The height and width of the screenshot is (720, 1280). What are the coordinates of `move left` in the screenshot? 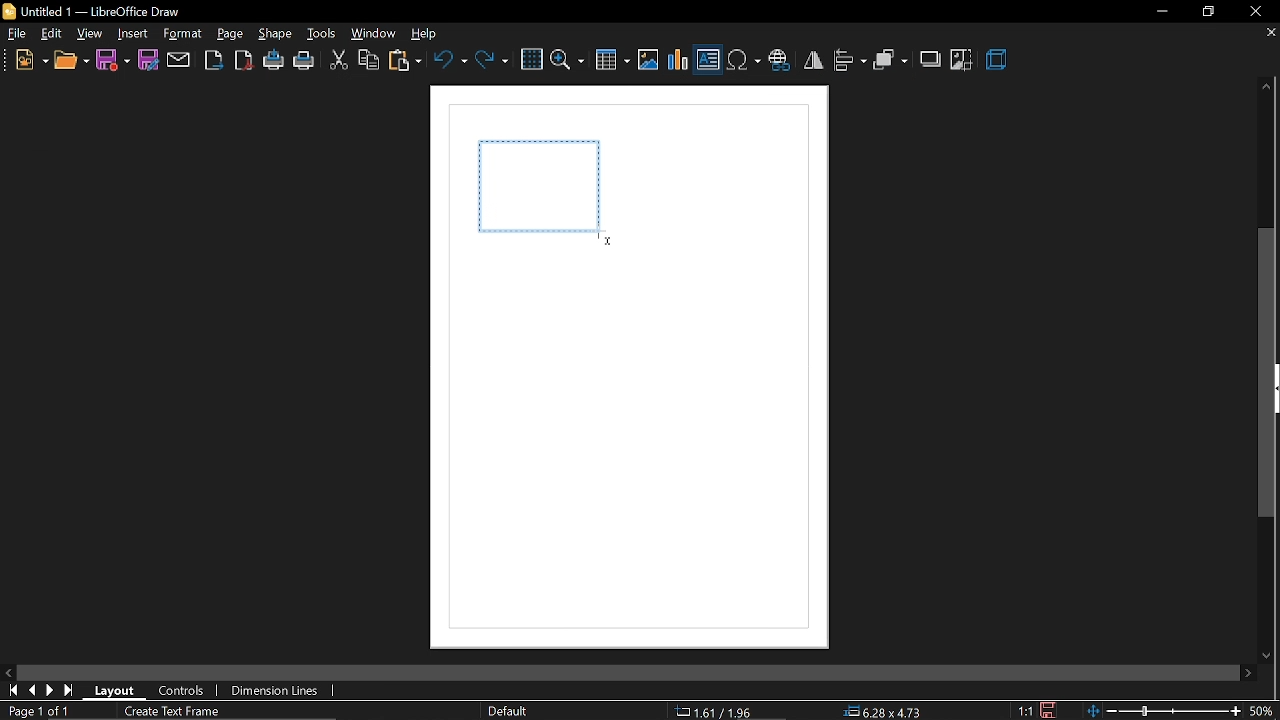 It's located at (10, 673).